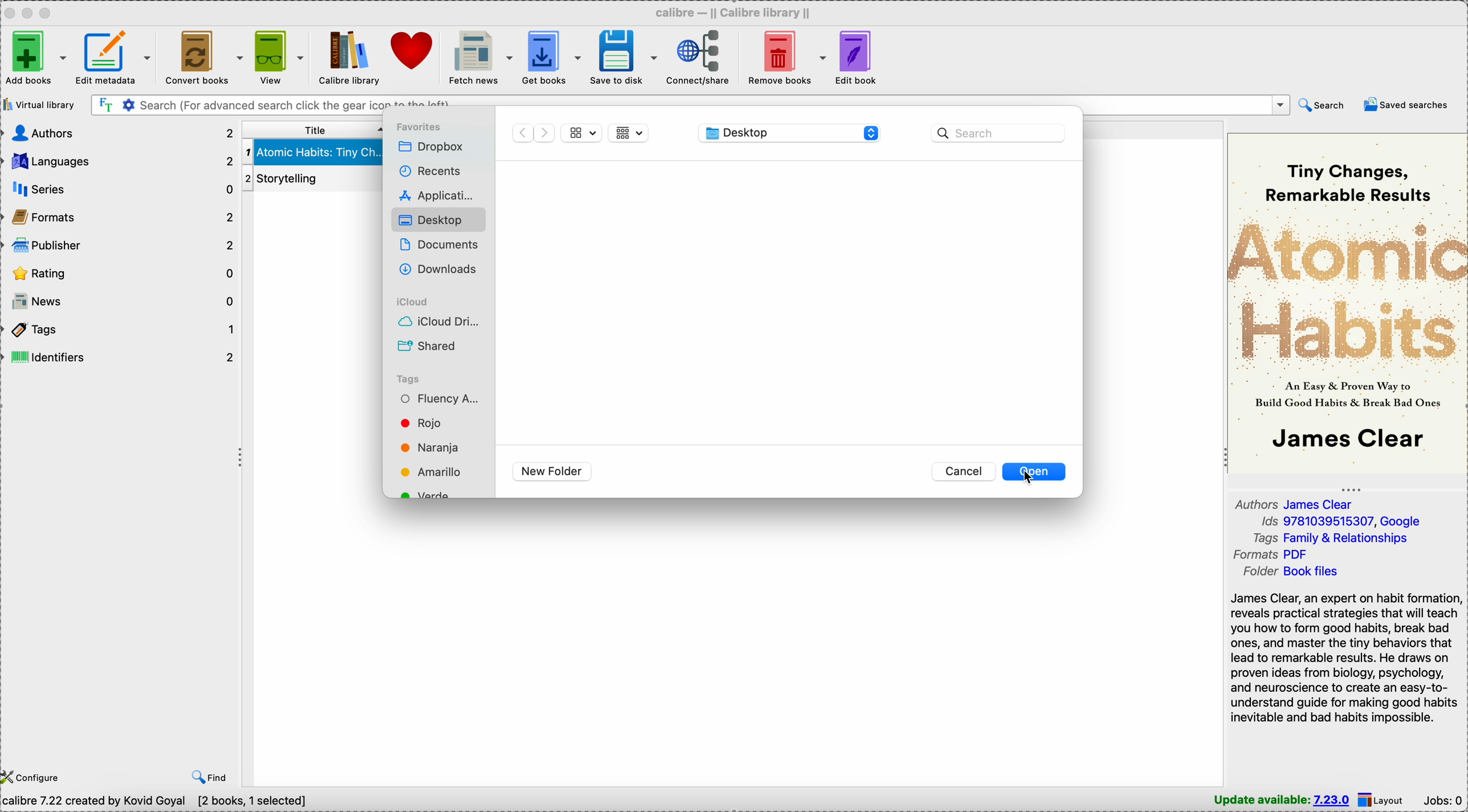  I want to click on add books, so click(36, 57).